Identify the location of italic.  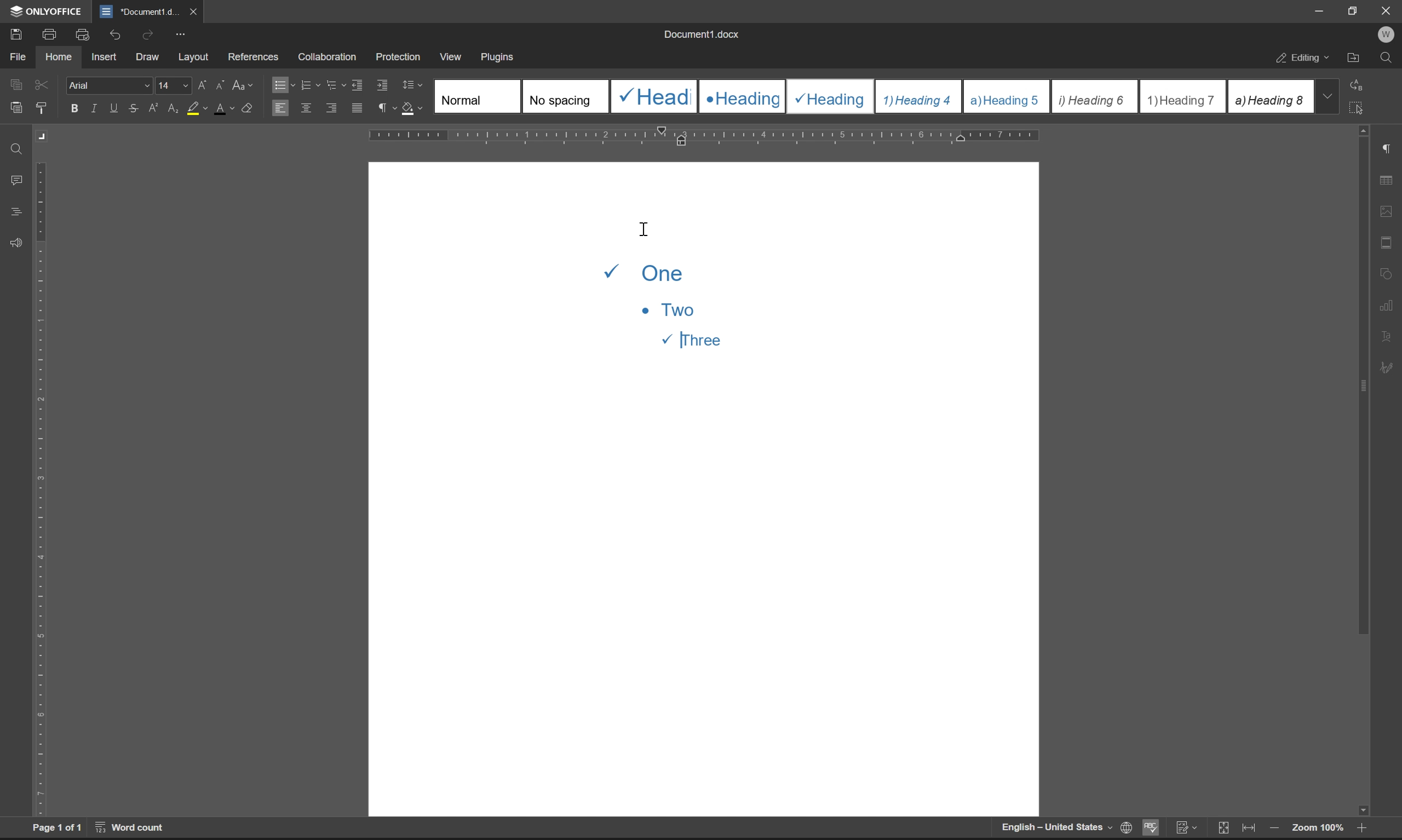
(96, 108).